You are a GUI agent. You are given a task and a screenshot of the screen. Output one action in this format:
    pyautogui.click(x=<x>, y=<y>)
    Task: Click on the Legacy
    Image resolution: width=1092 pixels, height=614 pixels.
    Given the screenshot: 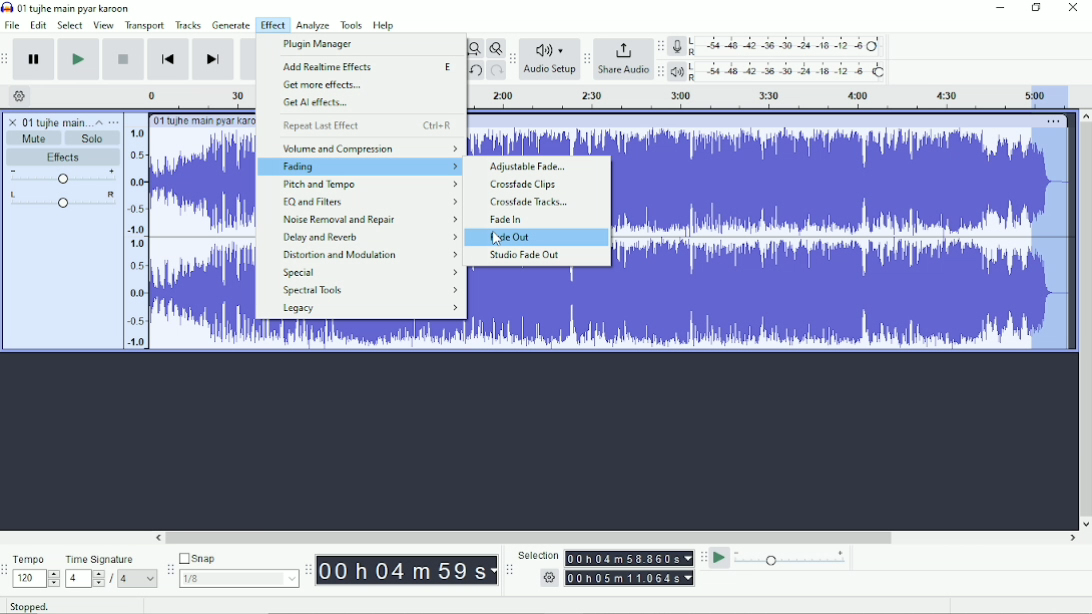 What is the action you would take?
    pyautogui.click(x=369, y=310)
    